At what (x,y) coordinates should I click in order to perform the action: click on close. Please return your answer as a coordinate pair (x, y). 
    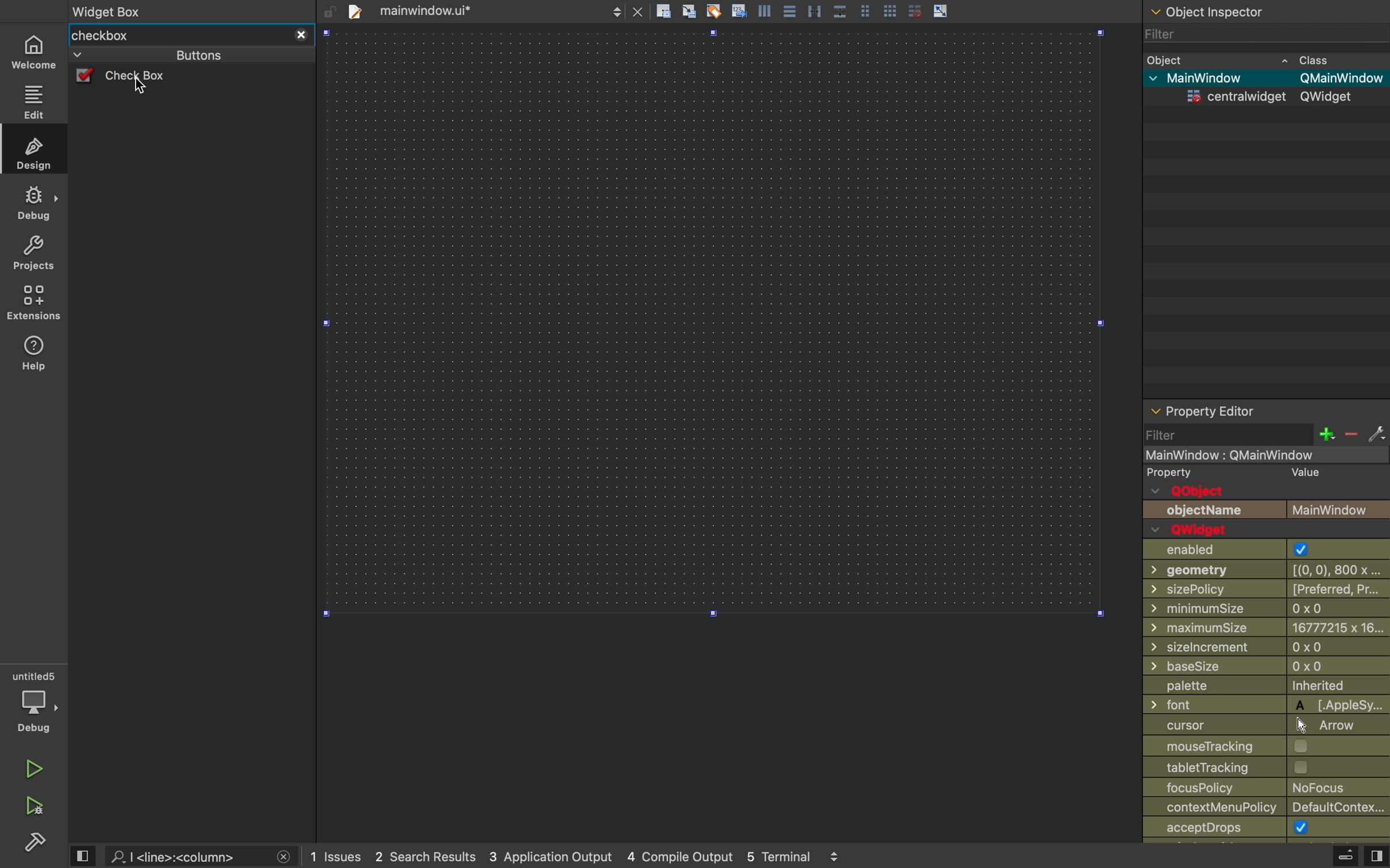
    Looking at the image, I should click on (639, 11).